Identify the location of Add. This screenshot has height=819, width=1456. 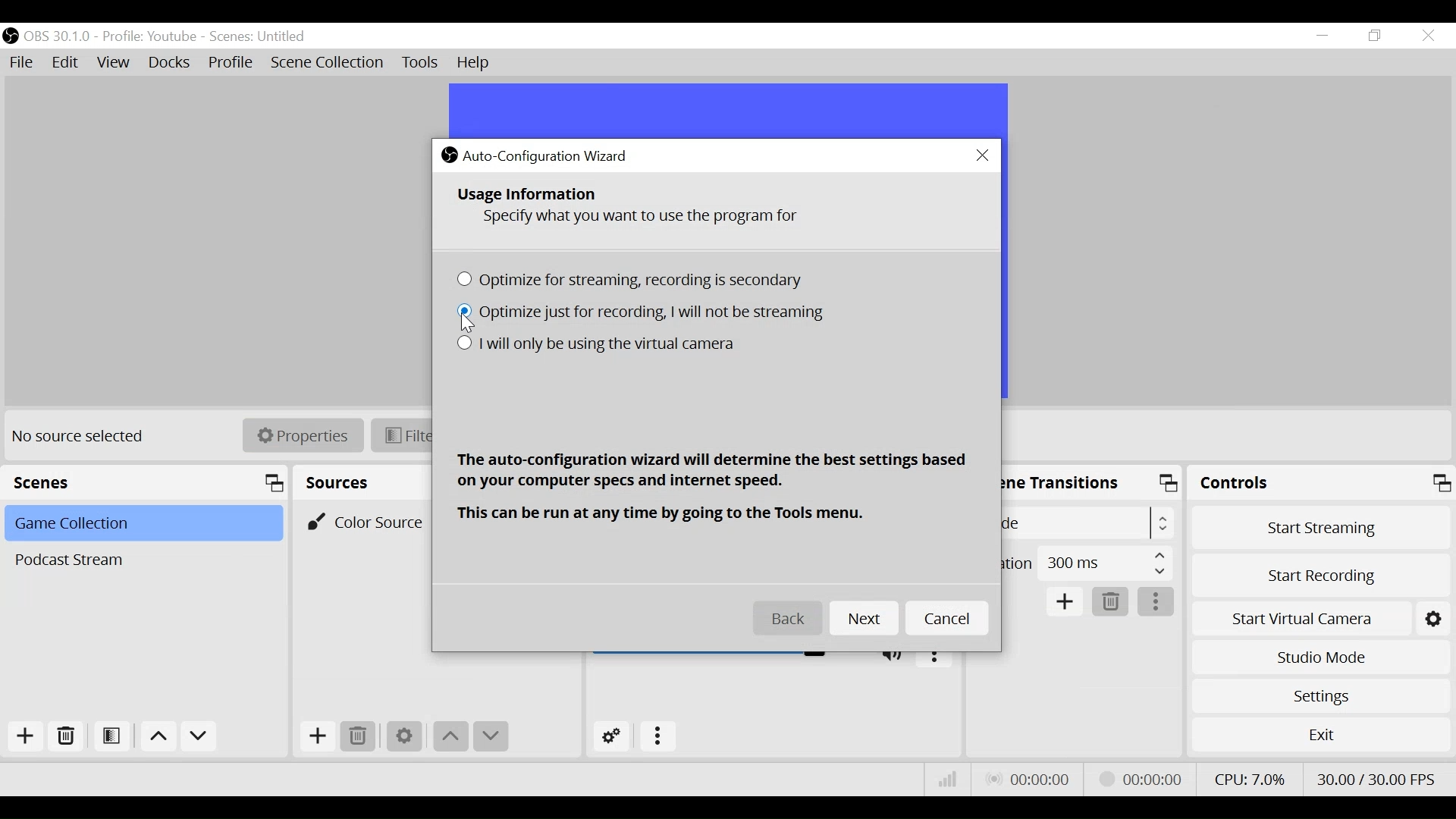
(1065, 602).